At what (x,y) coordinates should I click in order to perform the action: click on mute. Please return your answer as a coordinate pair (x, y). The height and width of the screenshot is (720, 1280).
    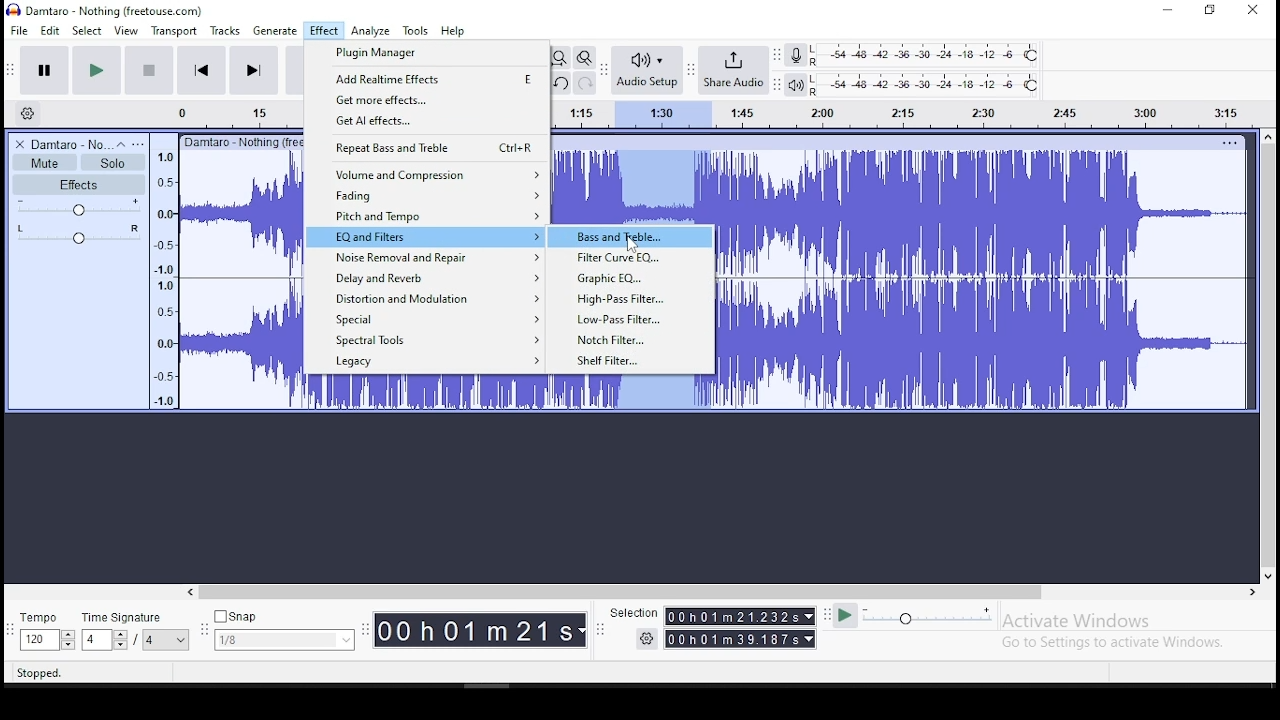
    Looking at the image, I should click on (44, 163).